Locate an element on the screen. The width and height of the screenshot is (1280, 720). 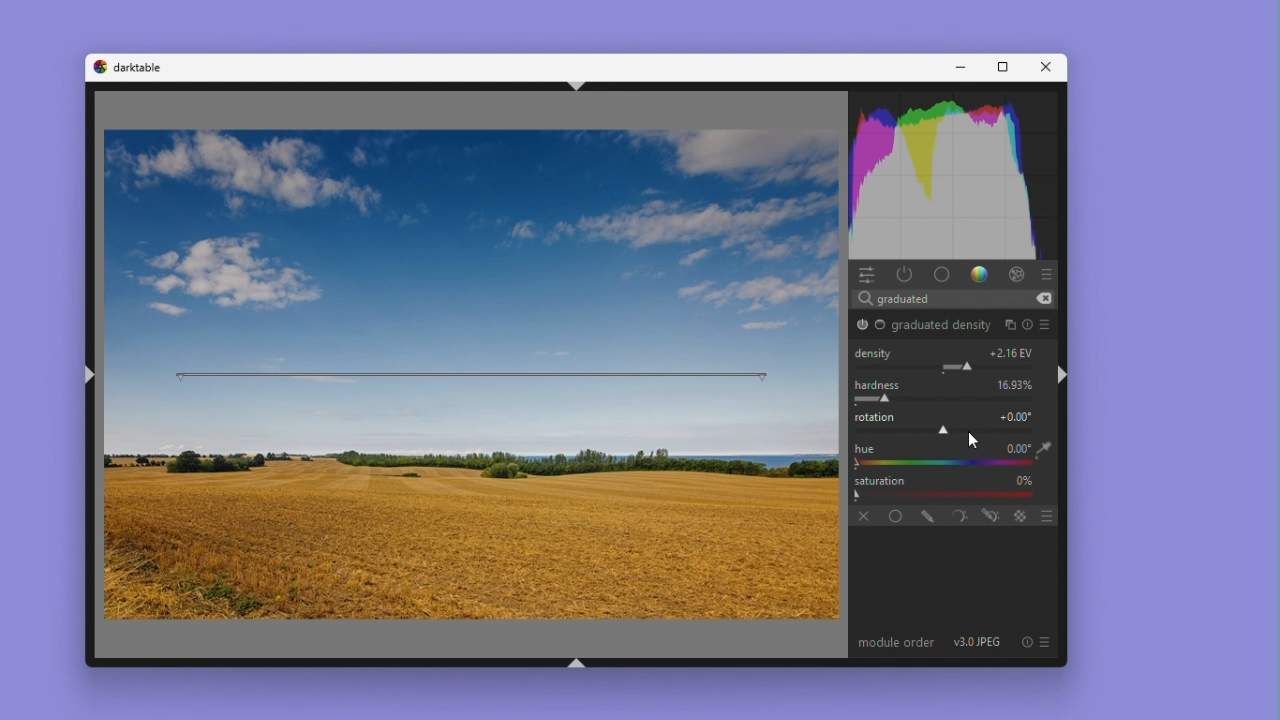
graduated density is located at coordinates (862, 324).